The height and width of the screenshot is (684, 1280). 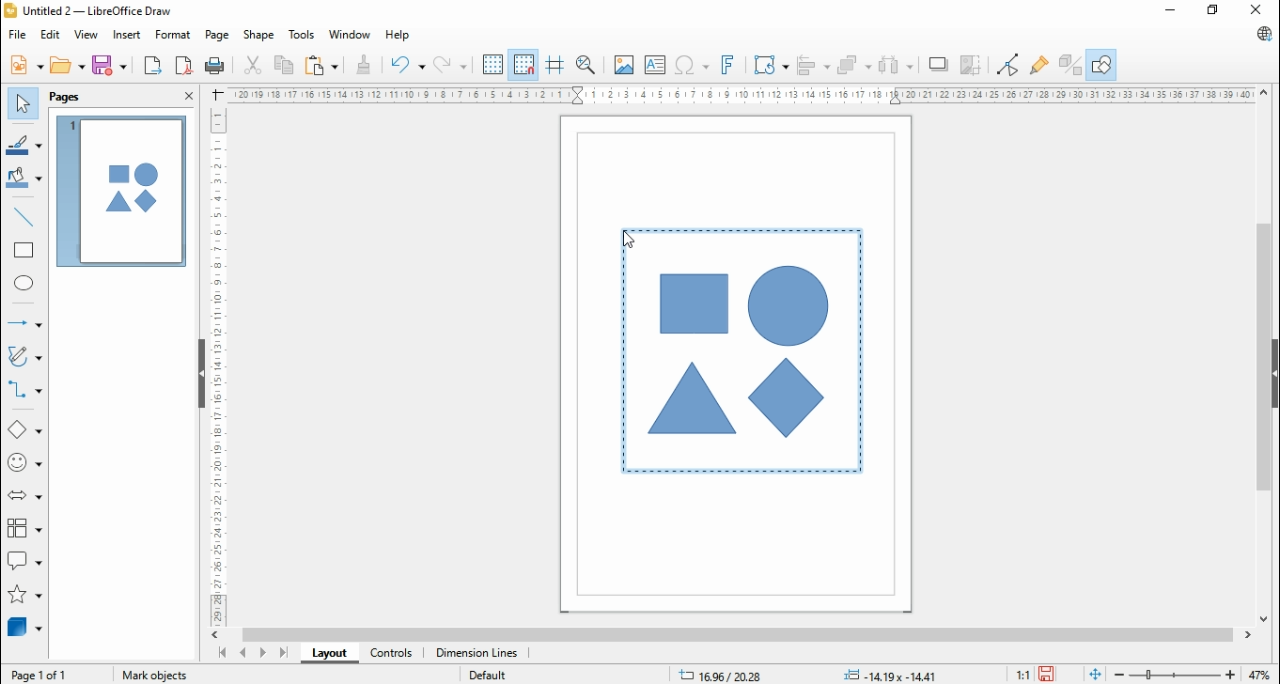 I want to click on toggle extrusions, so click(x=1069, y=63).